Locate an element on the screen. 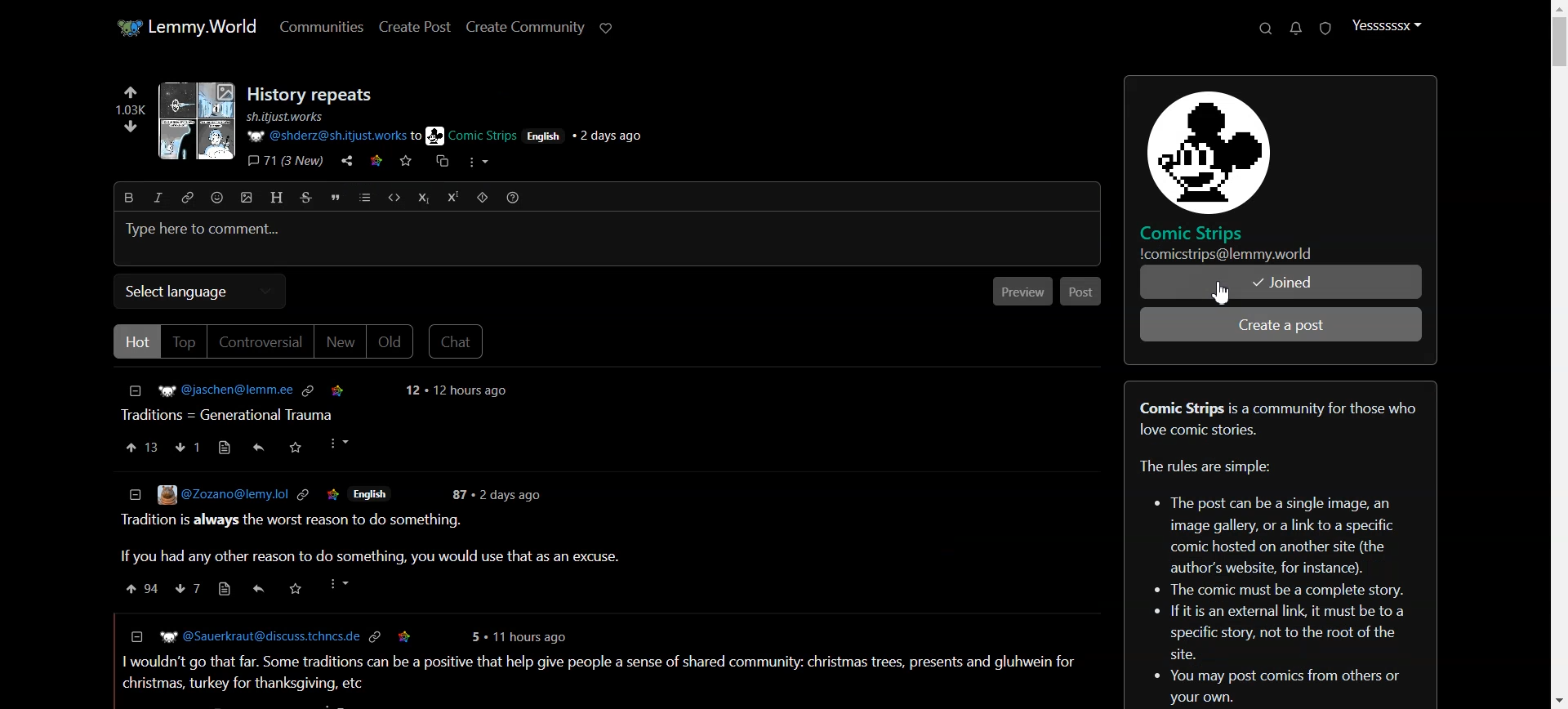  Save is located at coordinates (296, 446).